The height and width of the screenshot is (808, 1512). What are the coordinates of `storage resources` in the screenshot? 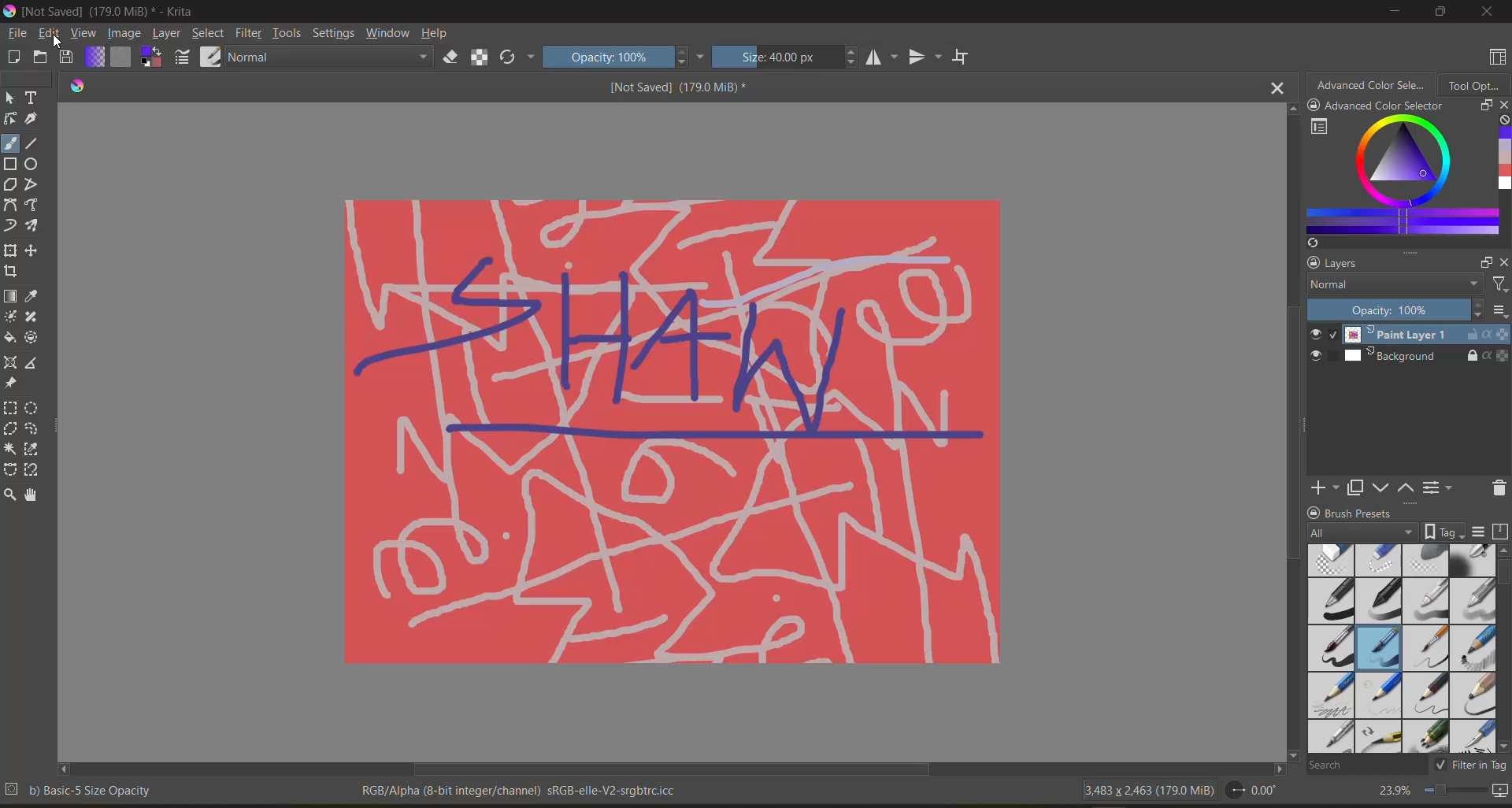 It's located at (1503, 533).